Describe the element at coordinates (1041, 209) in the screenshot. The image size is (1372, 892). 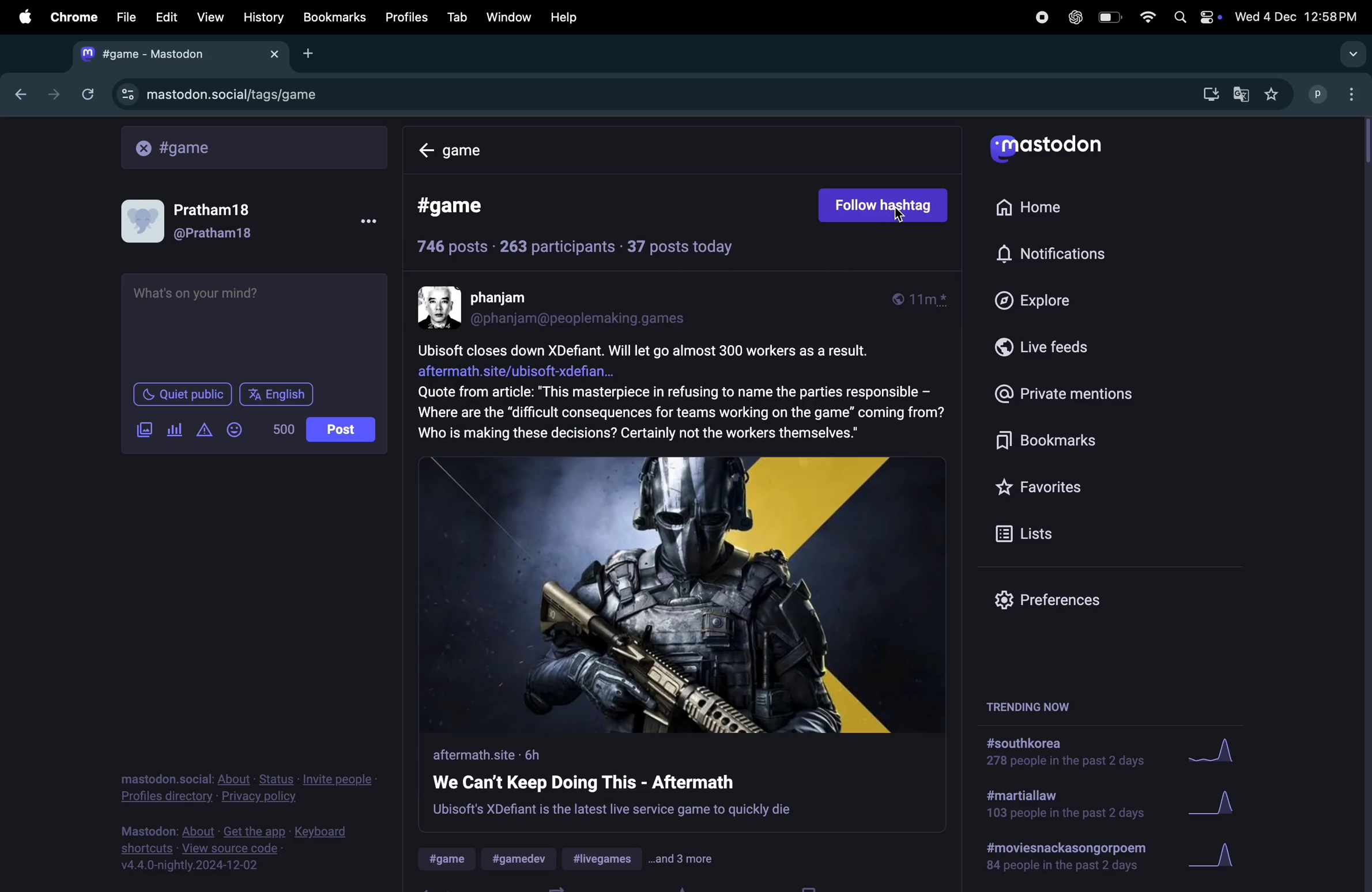
I see `Home` at that location.